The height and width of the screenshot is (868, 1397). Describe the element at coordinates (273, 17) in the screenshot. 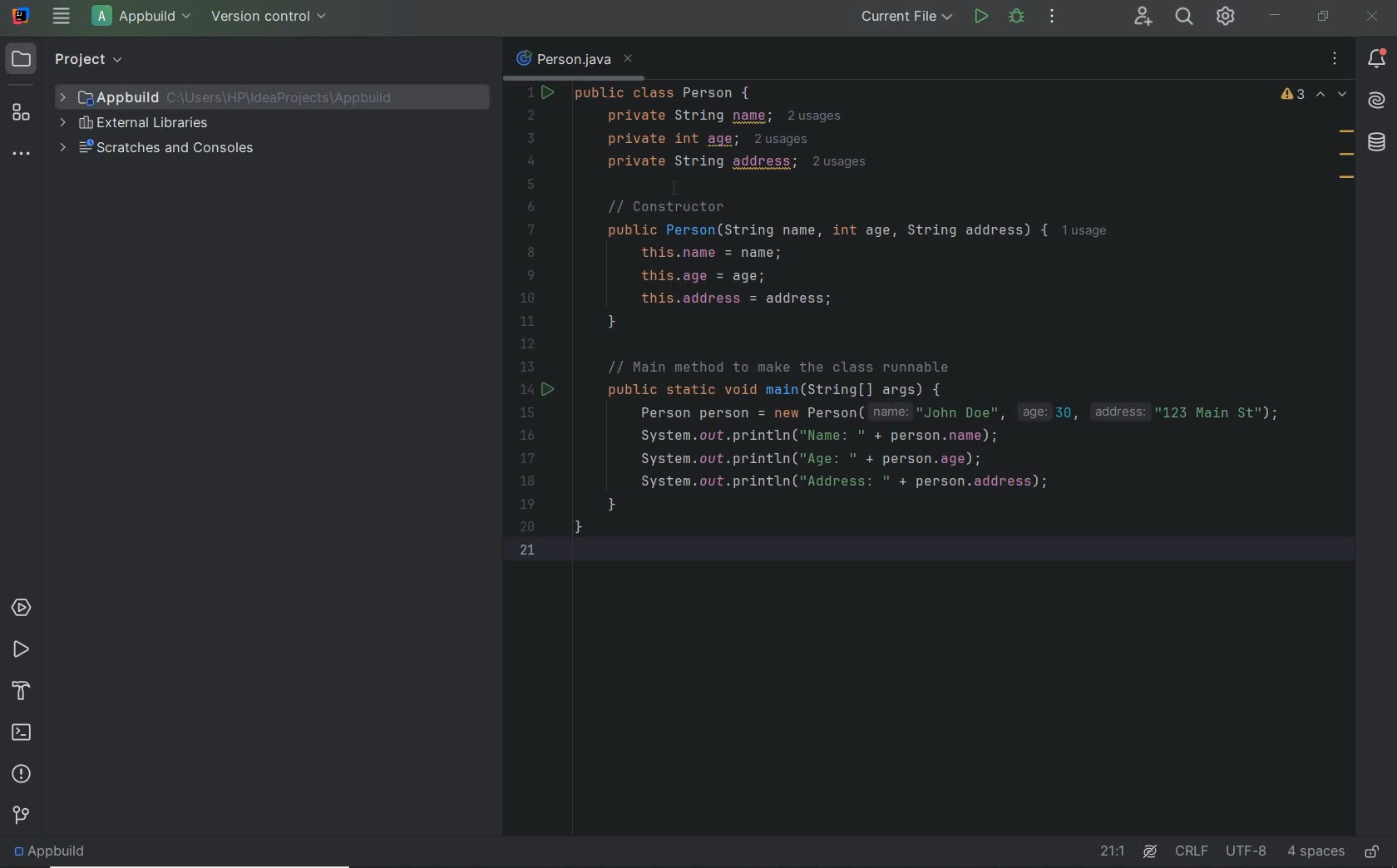

I see `version control` at that location.